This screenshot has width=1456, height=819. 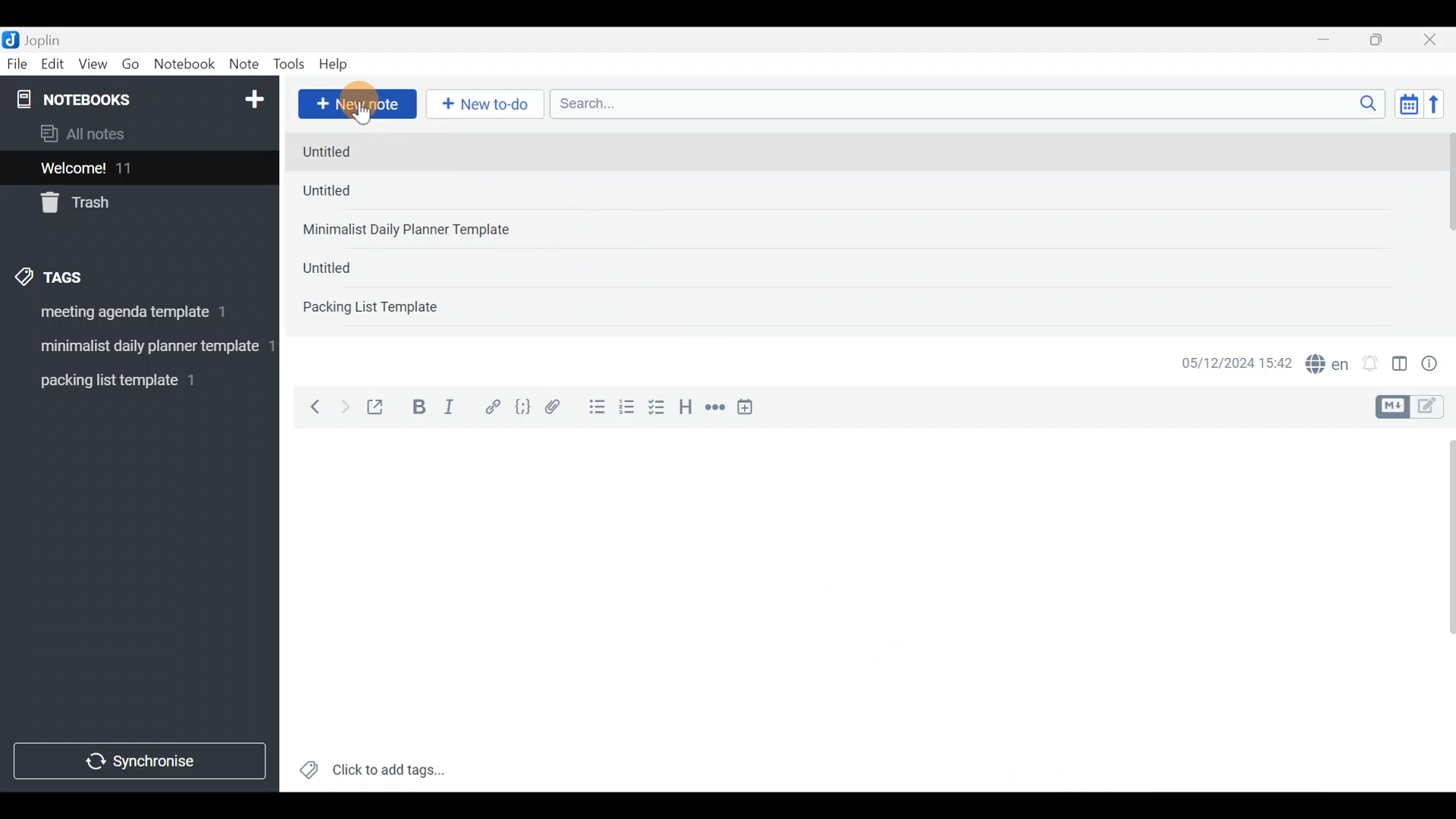 I want to click on View, so click(x=93, y=67).